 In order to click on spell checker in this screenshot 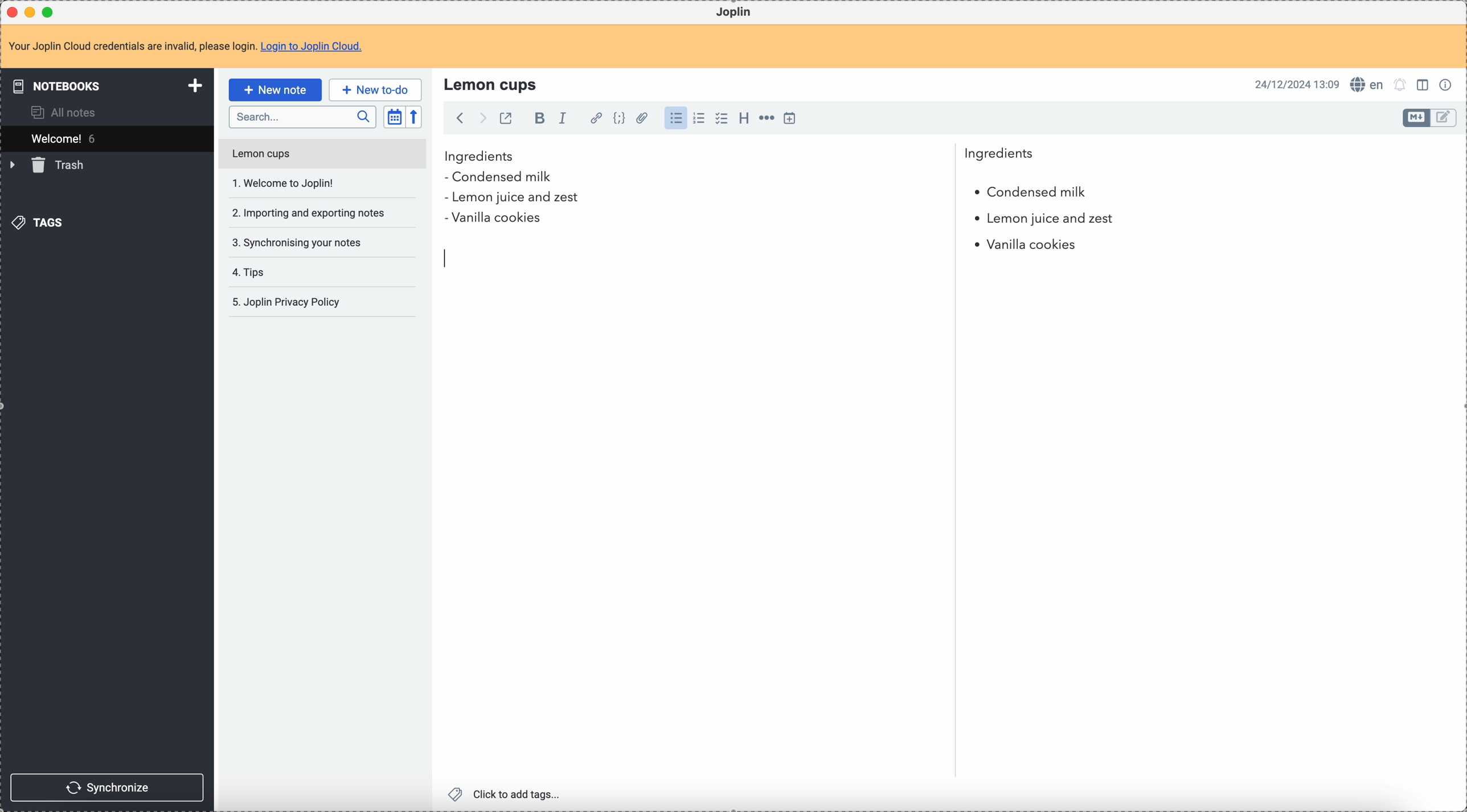, I will do `click(1370, 84)`.